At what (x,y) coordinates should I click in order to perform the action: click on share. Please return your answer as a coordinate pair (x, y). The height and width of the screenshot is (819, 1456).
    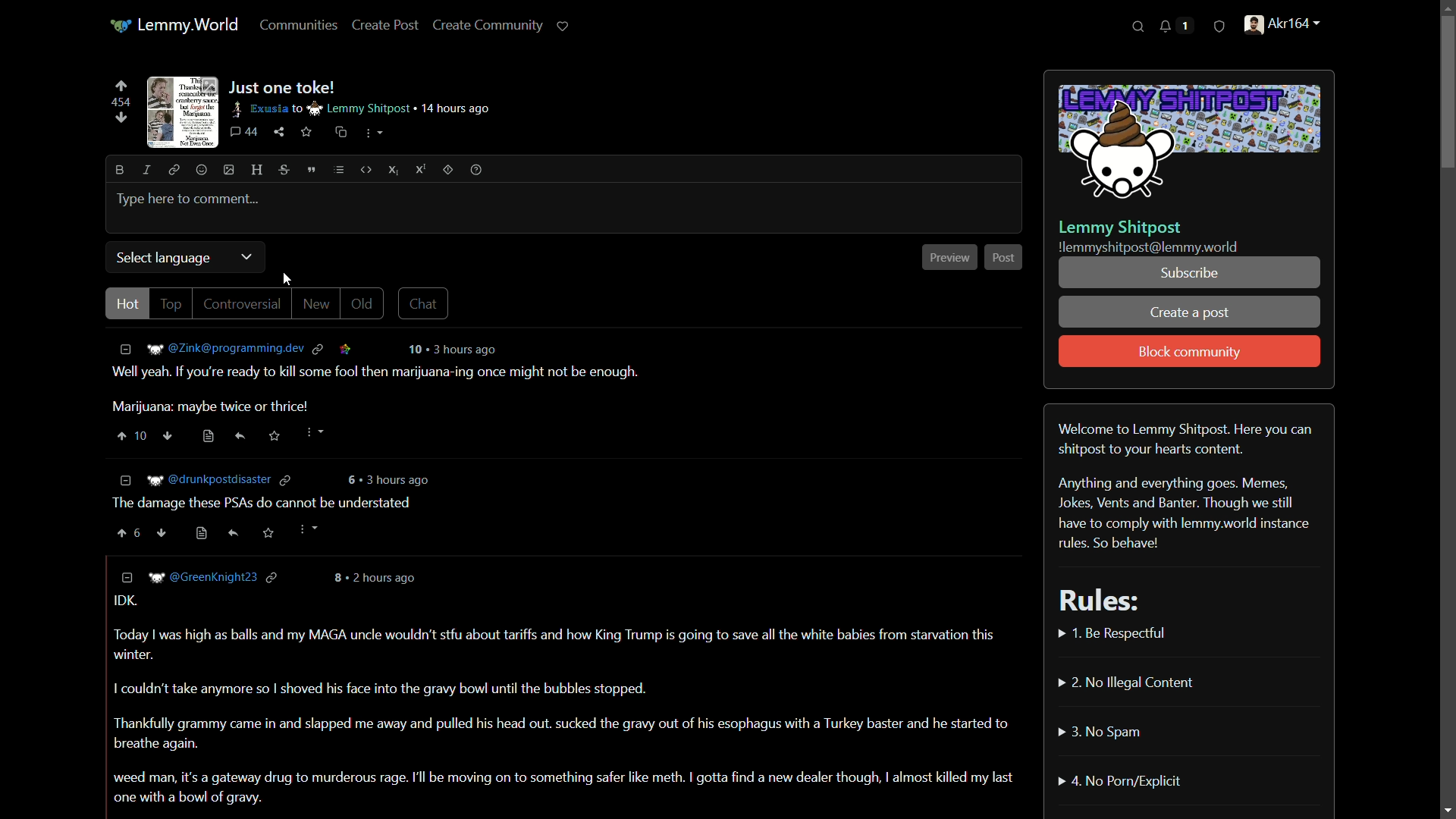
    Looking at the image, I should click on (280, 132).